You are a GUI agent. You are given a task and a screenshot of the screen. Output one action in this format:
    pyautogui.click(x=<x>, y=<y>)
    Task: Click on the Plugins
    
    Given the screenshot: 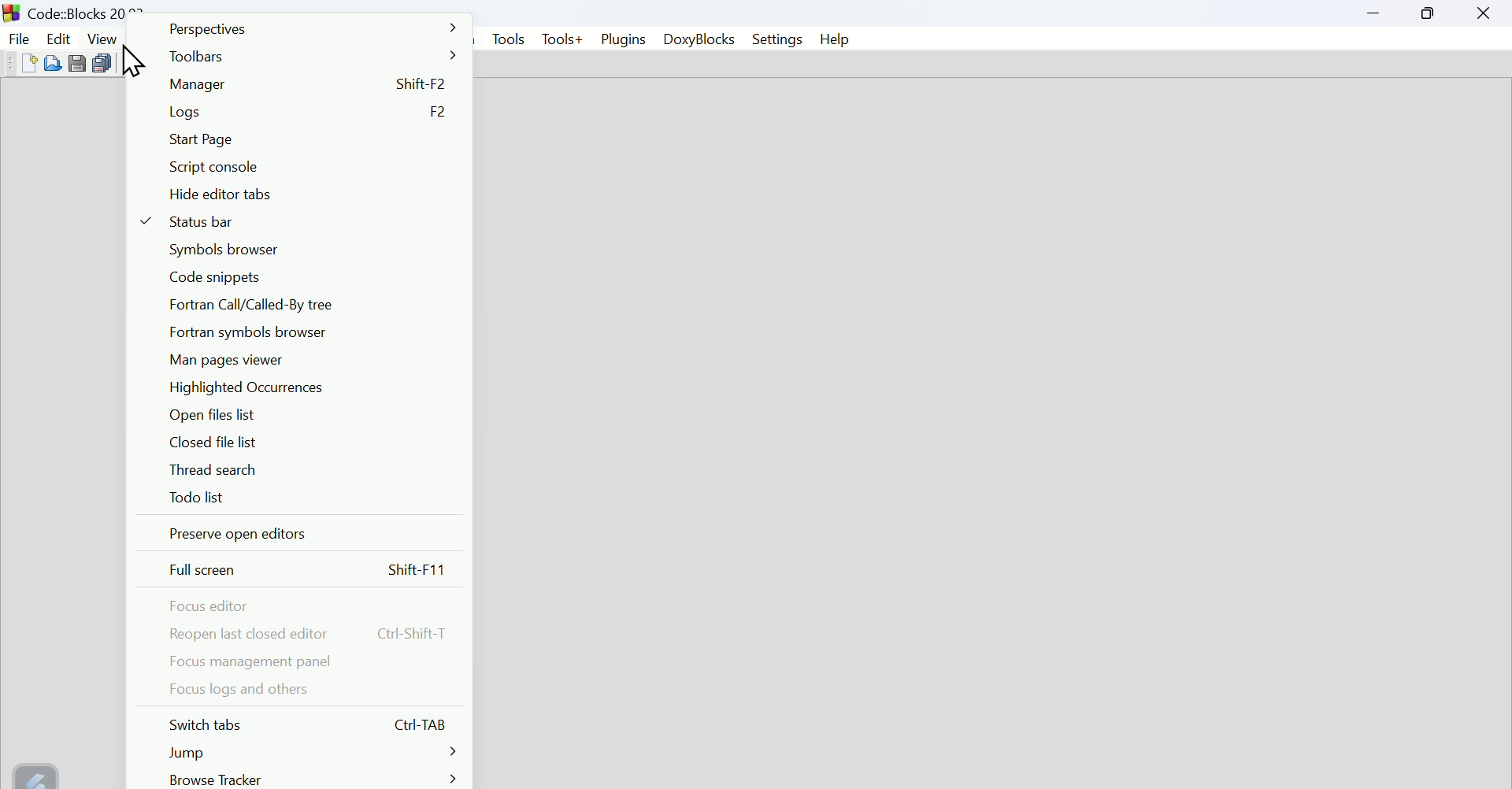 What is the action you would take?
    pyautogui.click(x=624, y=39)
    